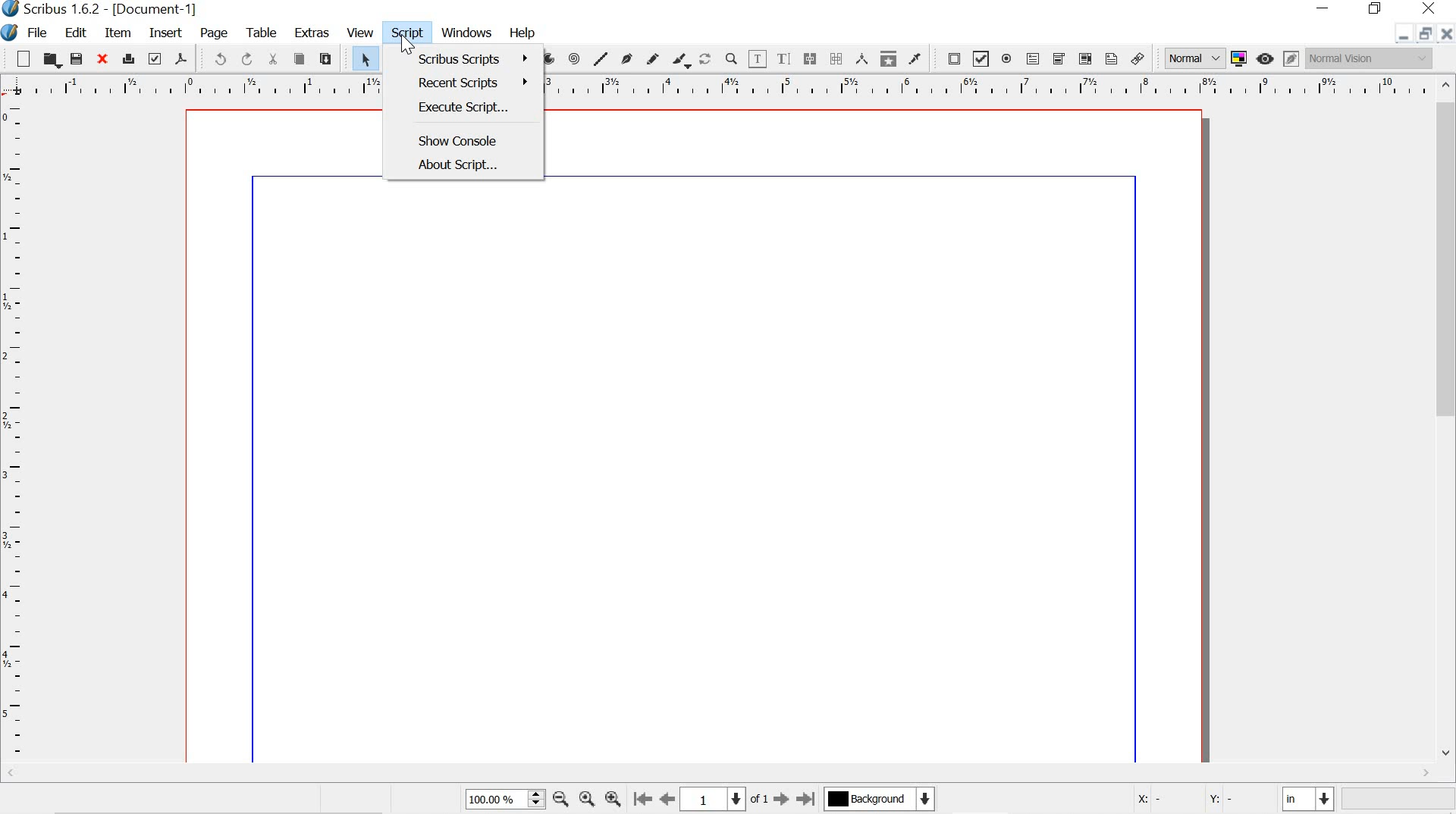 This screenshot has width=1456, height=814. What do you see at coordinates (640, 798) in the screenshot?
I see `First page` at bounding box center [640, 798].